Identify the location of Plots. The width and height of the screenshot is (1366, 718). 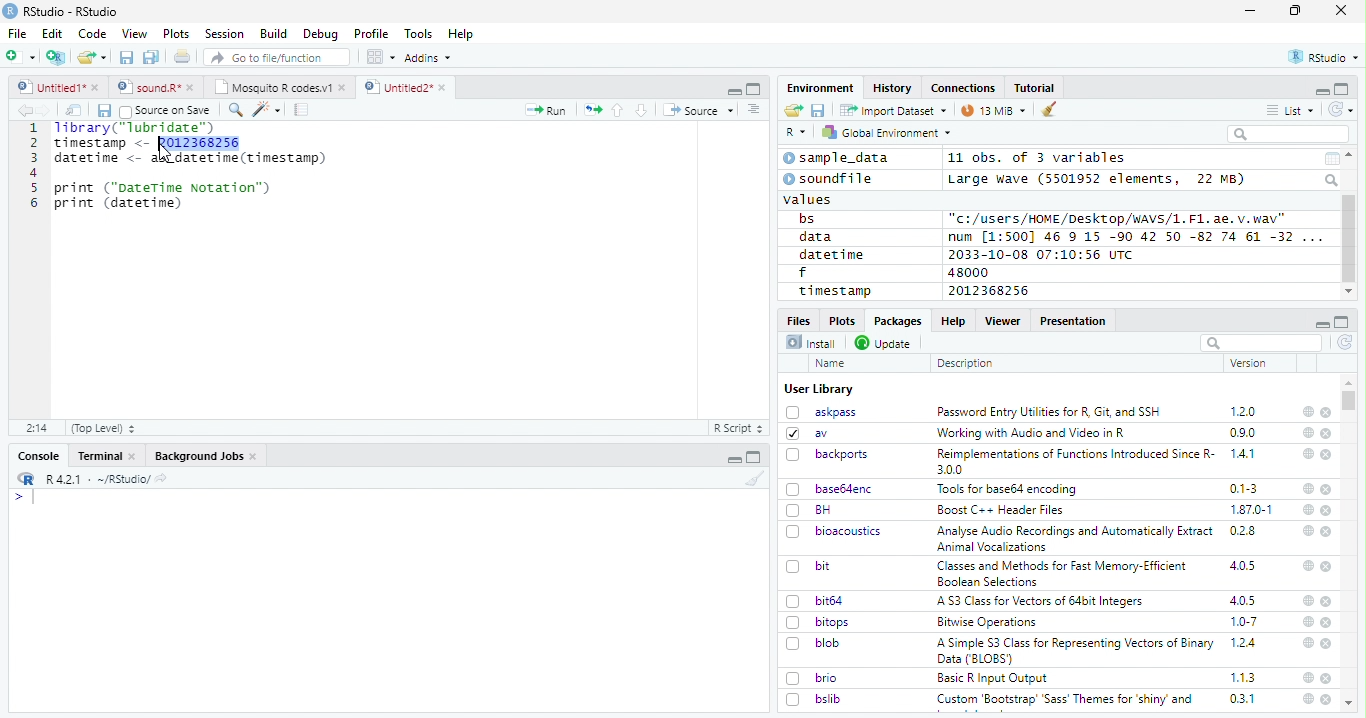
(841, 320).